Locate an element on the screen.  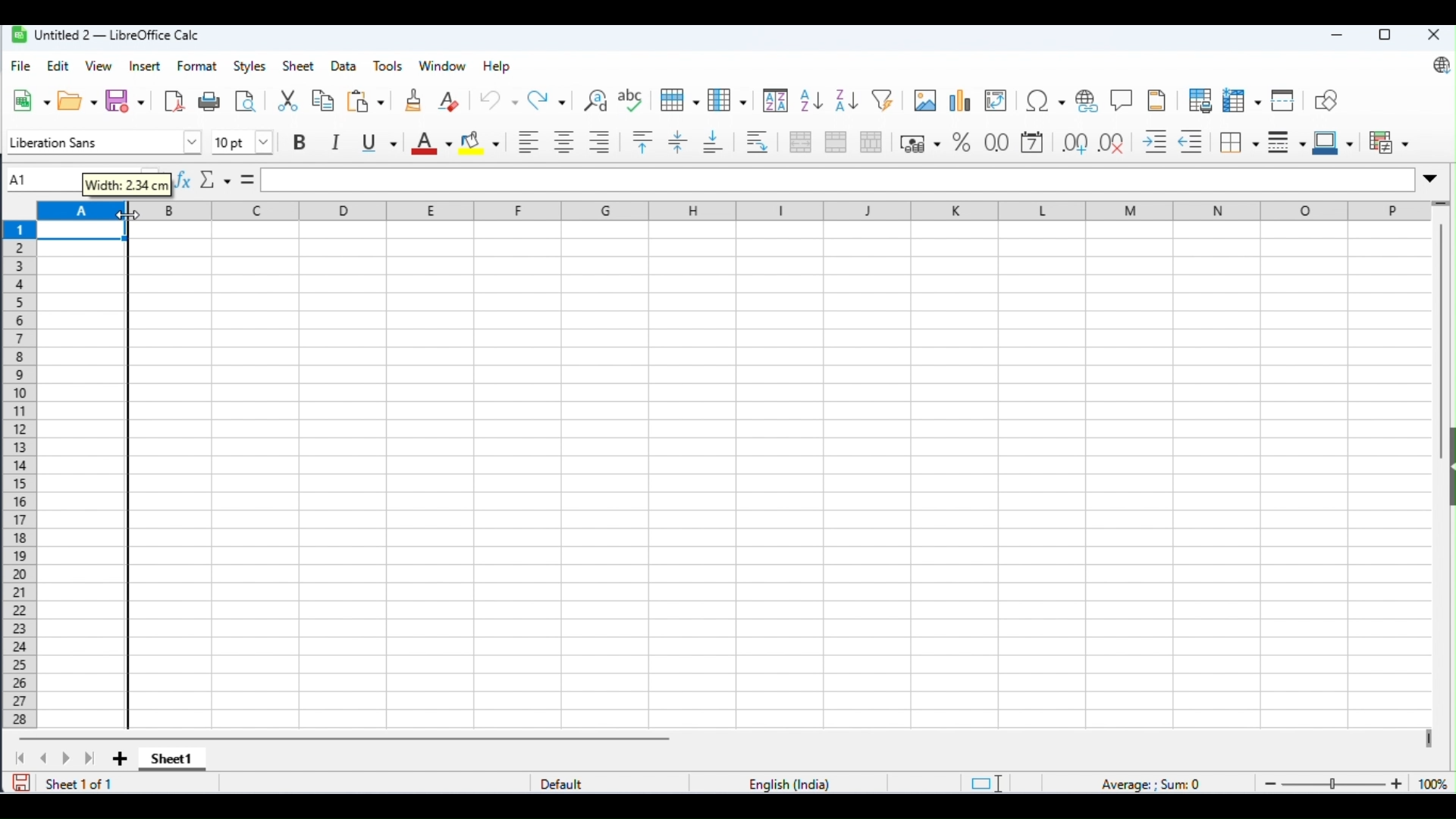
column headings is located at coordinates (792, 209).